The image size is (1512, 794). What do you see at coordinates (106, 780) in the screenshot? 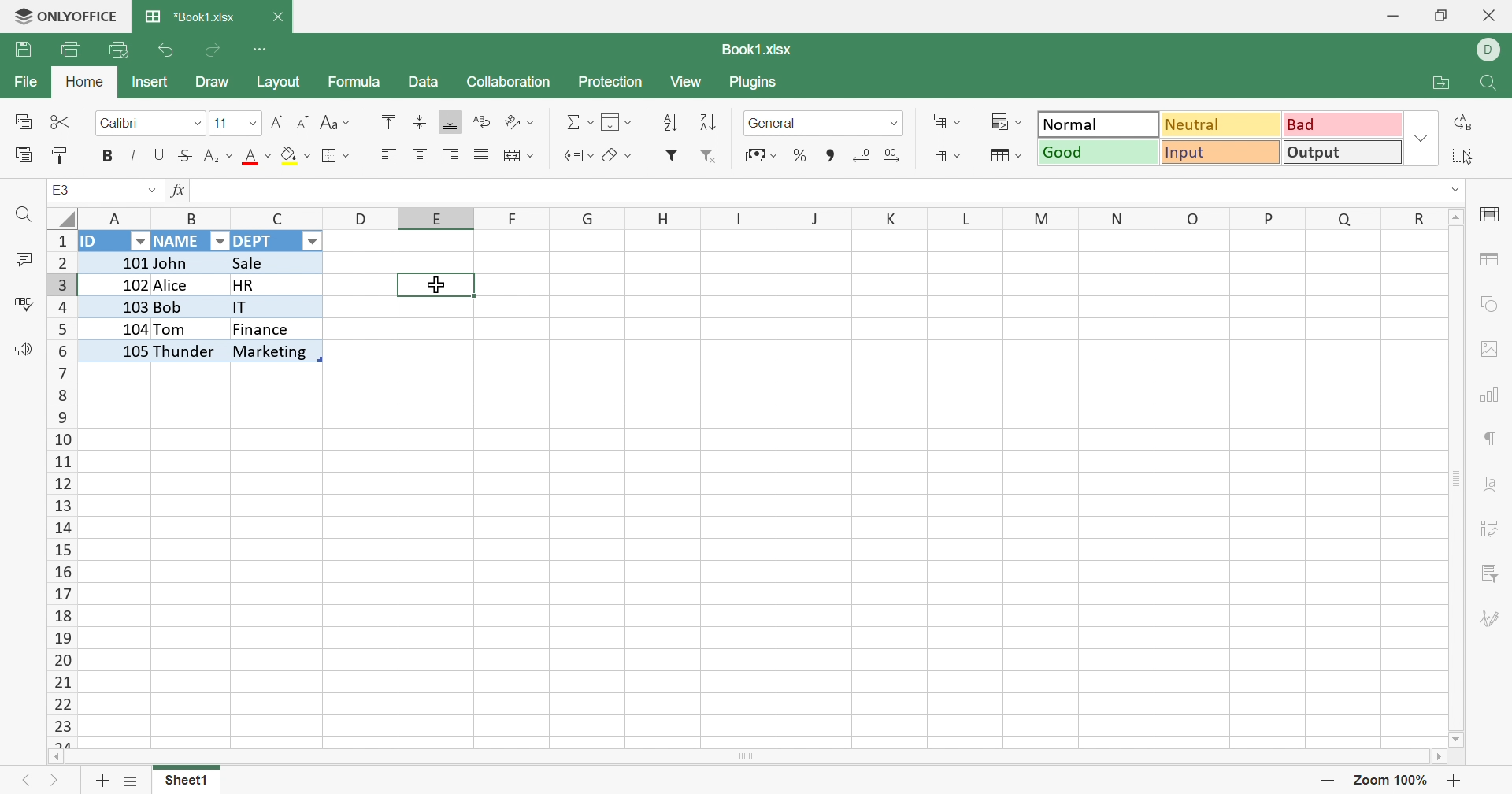
I see `Add sheet` at bounding box center [106, 780].